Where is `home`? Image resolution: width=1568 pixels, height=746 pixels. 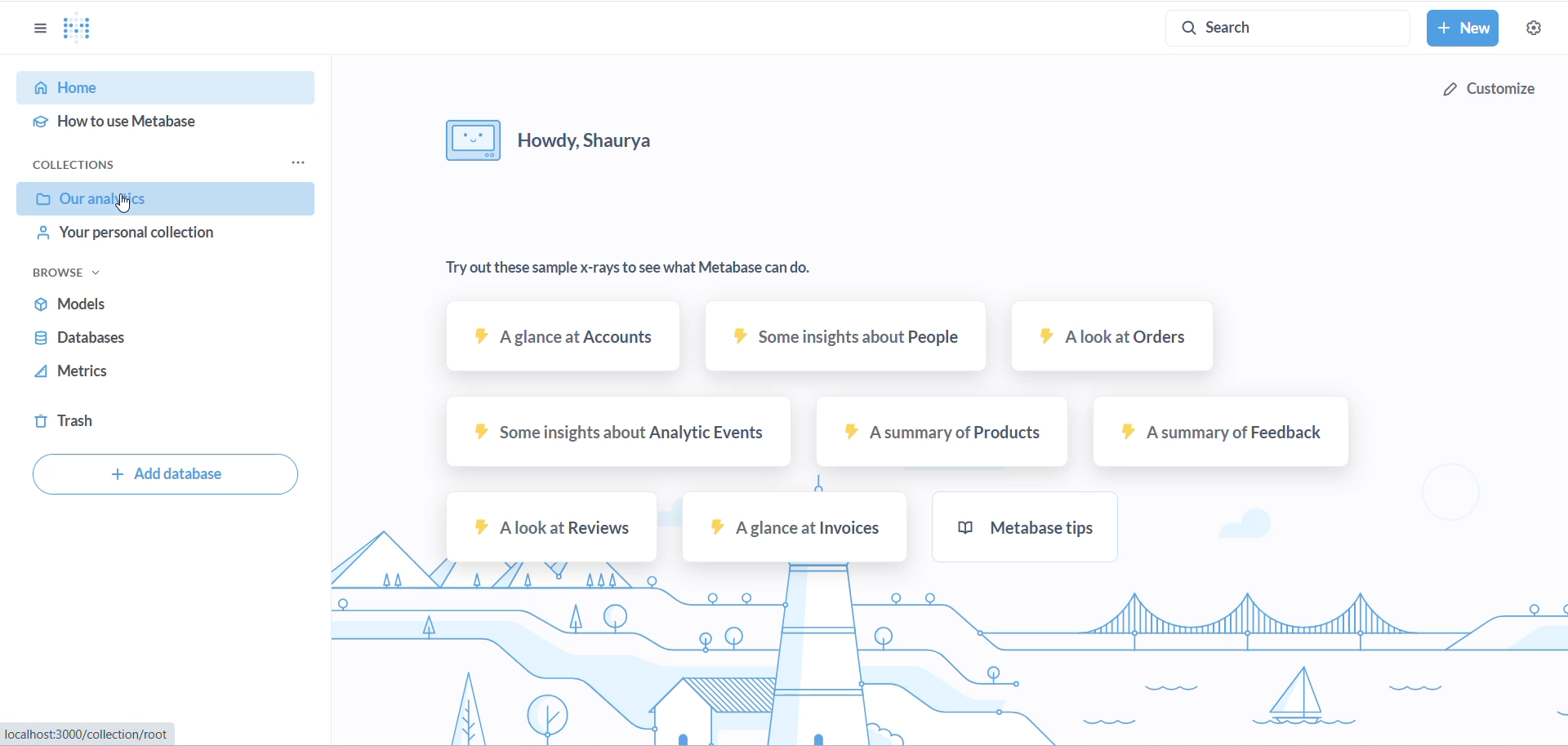 home is located at coordinates (164, 87).